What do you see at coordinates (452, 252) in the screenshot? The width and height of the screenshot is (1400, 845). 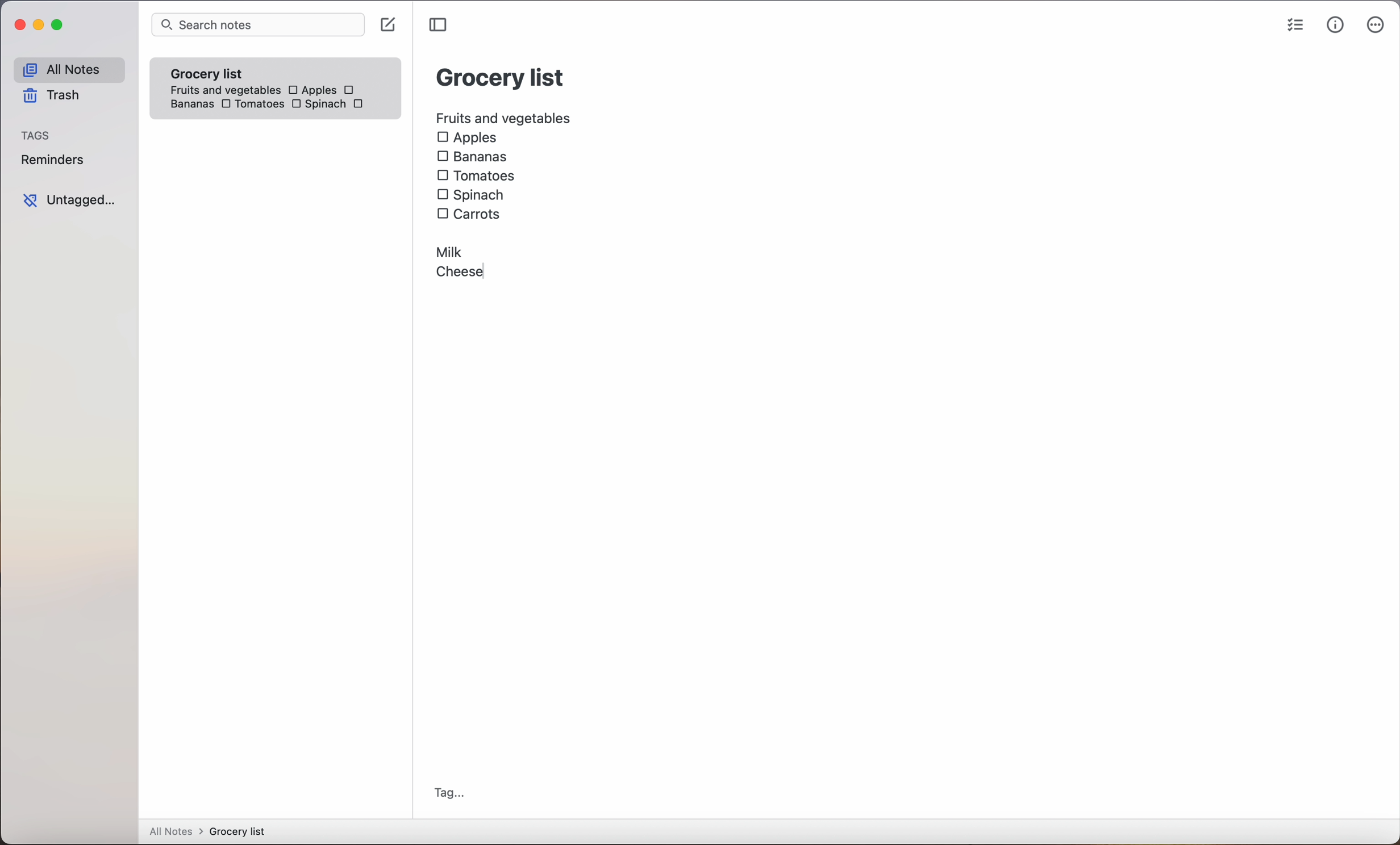 I see `Milk` at bounding box center [452, 252].